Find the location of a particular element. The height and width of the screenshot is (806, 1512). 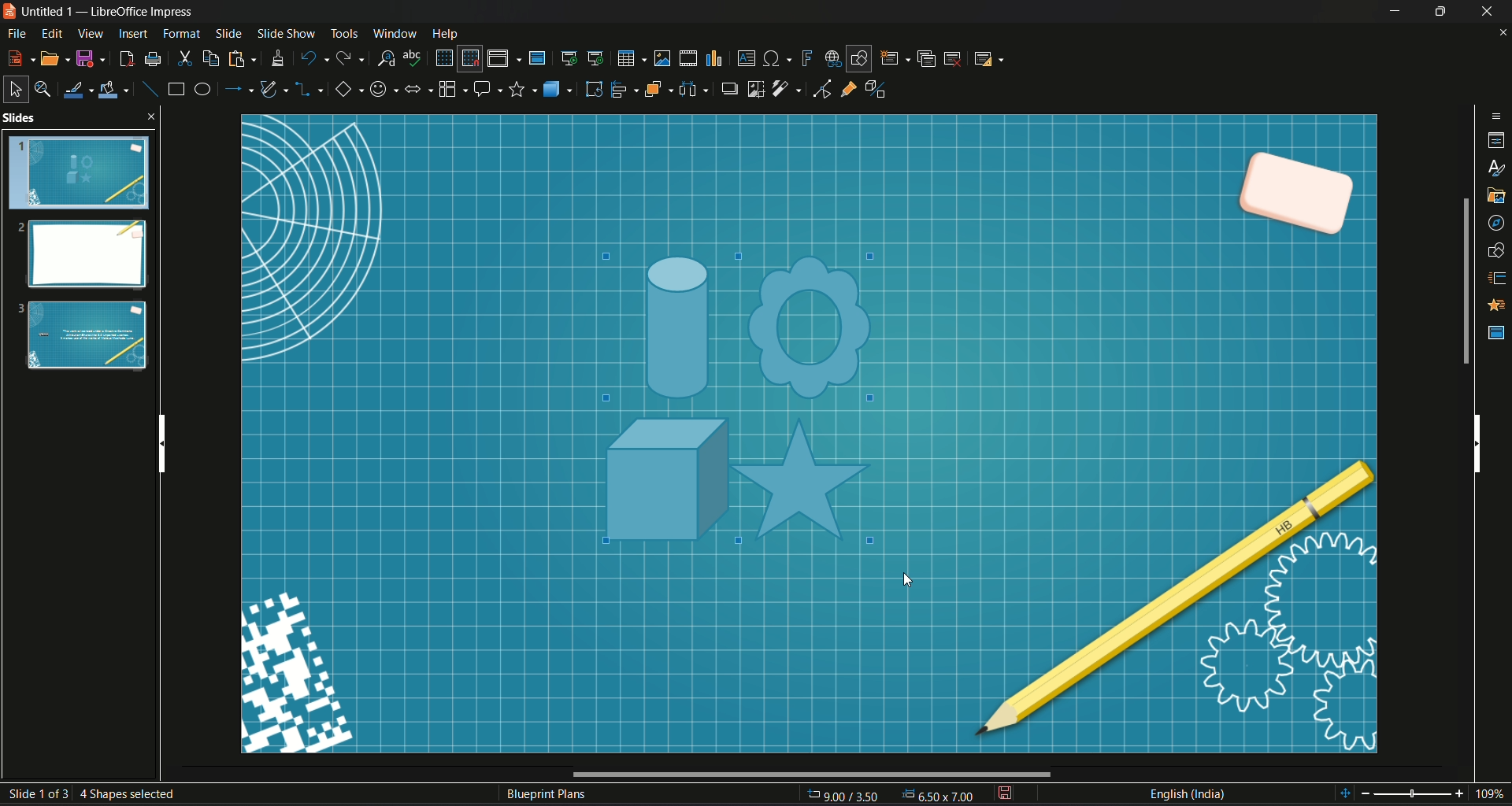

Horizontal Scroll is located at coordinates (809, 775).